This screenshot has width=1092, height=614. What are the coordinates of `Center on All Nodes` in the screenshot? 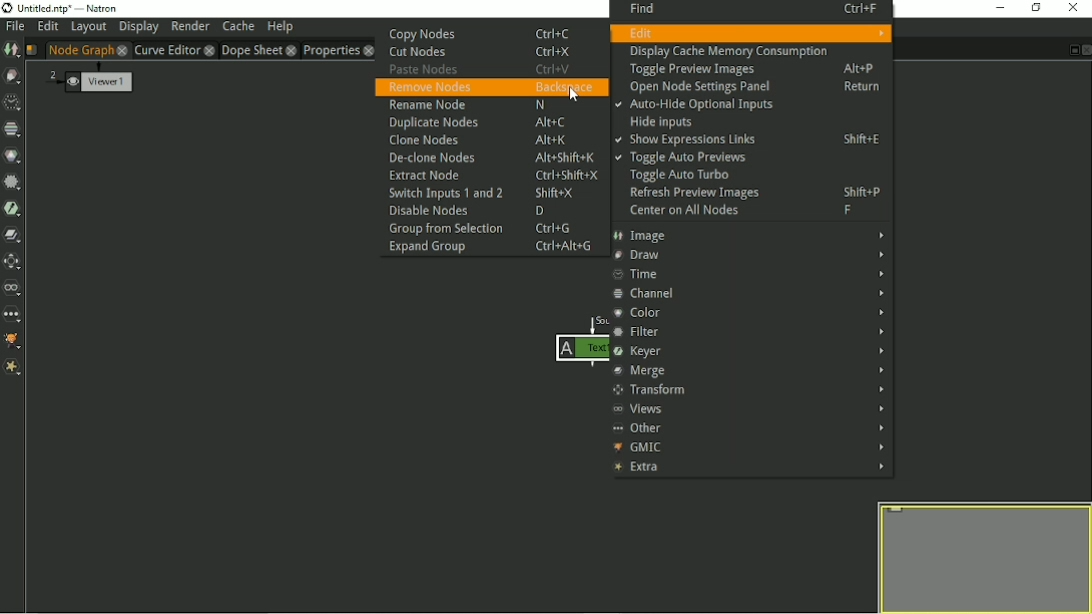 It's located at (741, 211).